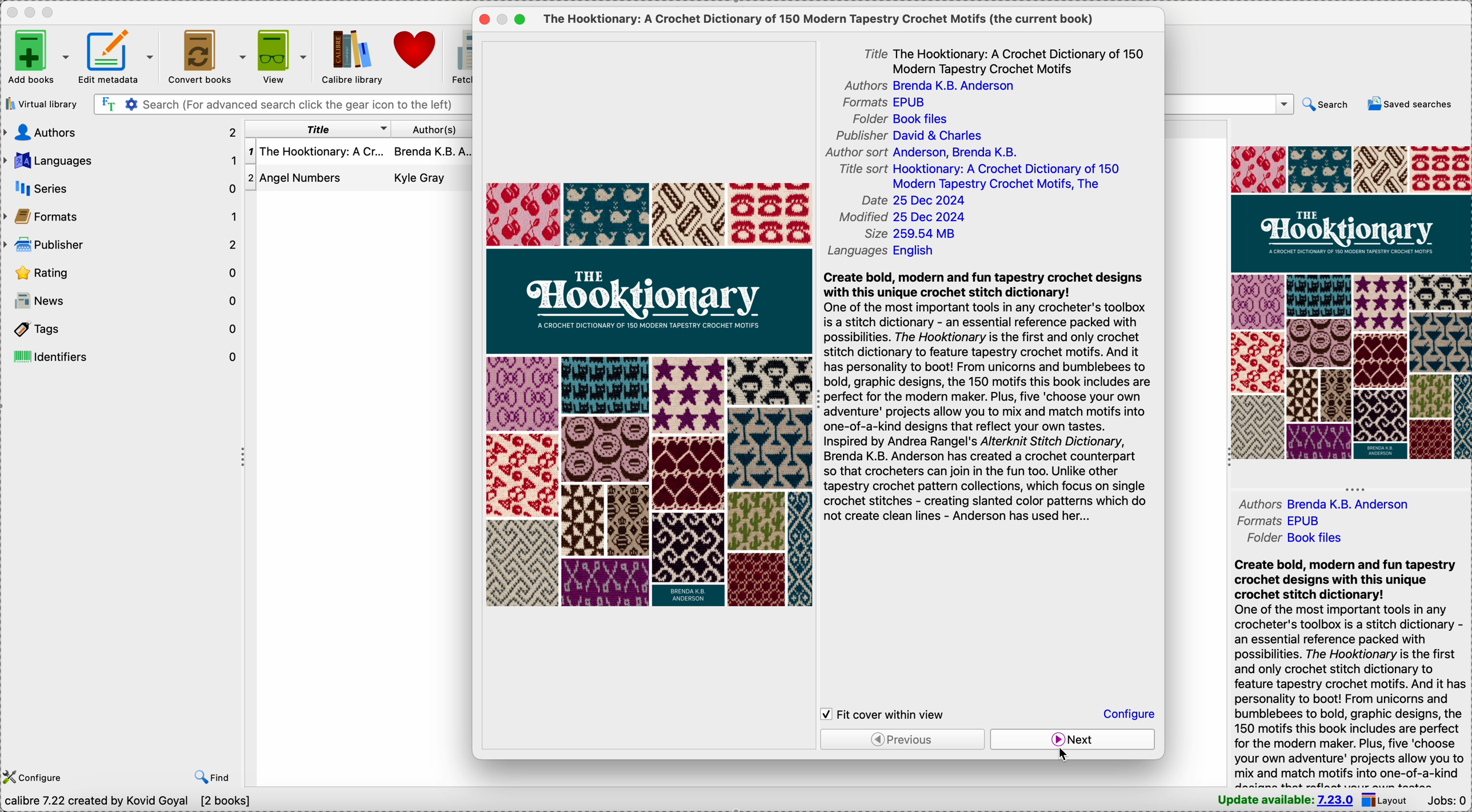 This screenshot has height=812, width=1472. What do you see at coordinates (906, 118) in the screenshot?
I see `folder` at bounding box center [906, 118].